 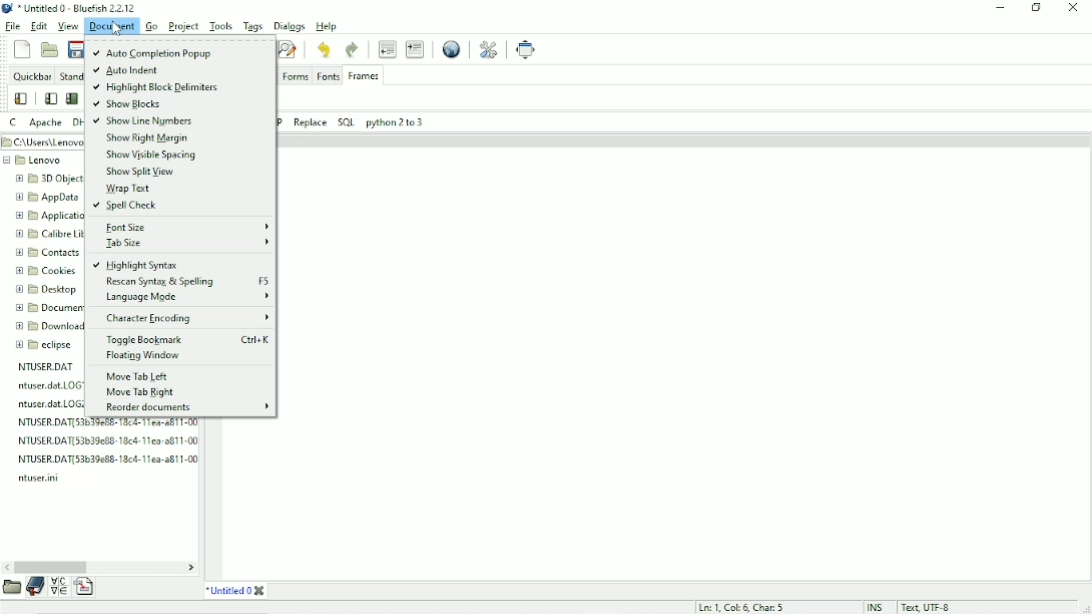 What do you see at coordinates (395, 122) in the screenshot?
I see `Python 2 to 3` at bounding box center [395, 122].